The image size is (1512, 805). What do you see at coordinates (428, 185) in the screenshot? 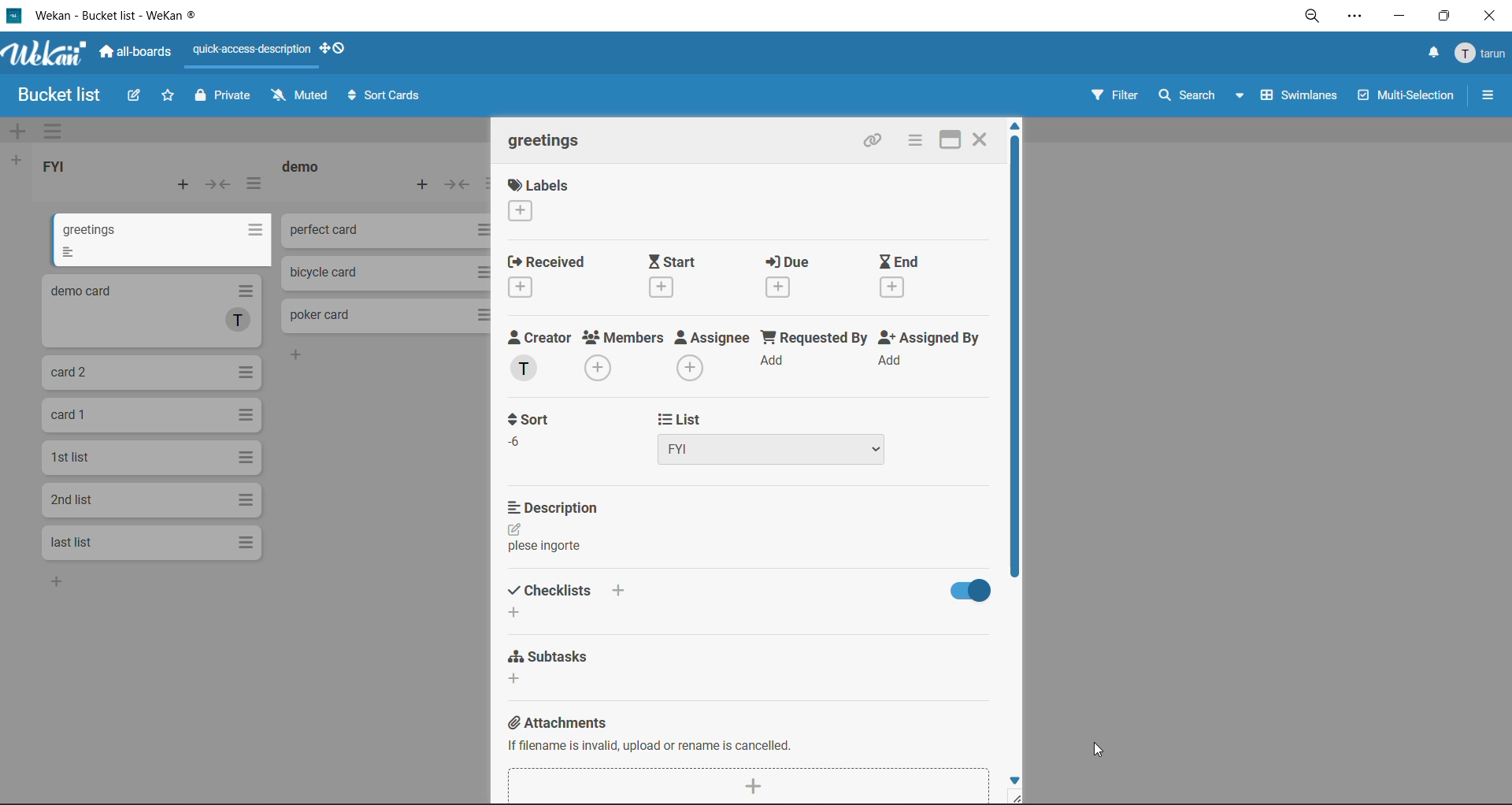
I see `add card` at bounding box center [428, 185].